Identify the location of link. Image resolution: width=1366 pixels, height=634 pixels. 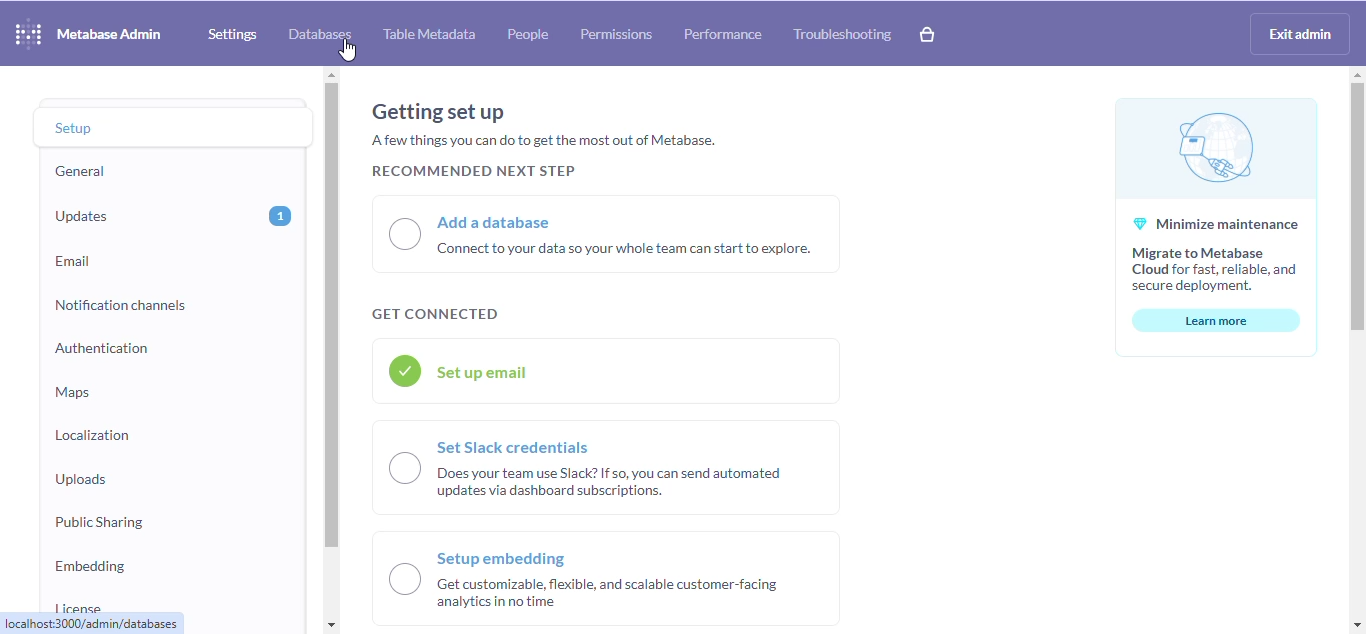
(92, 623).